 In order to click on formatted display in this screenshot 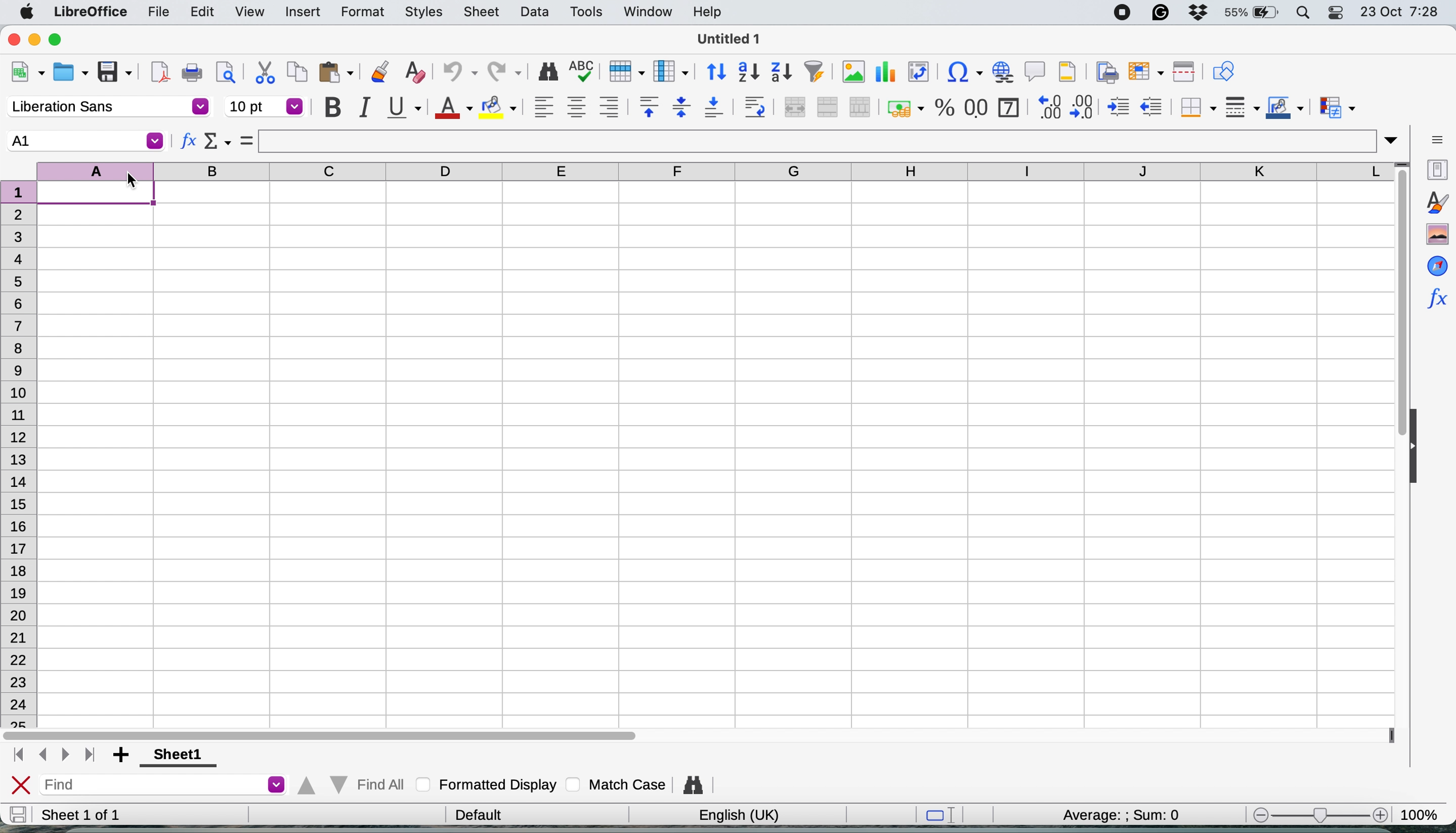, I will do `click(485, 786)`.